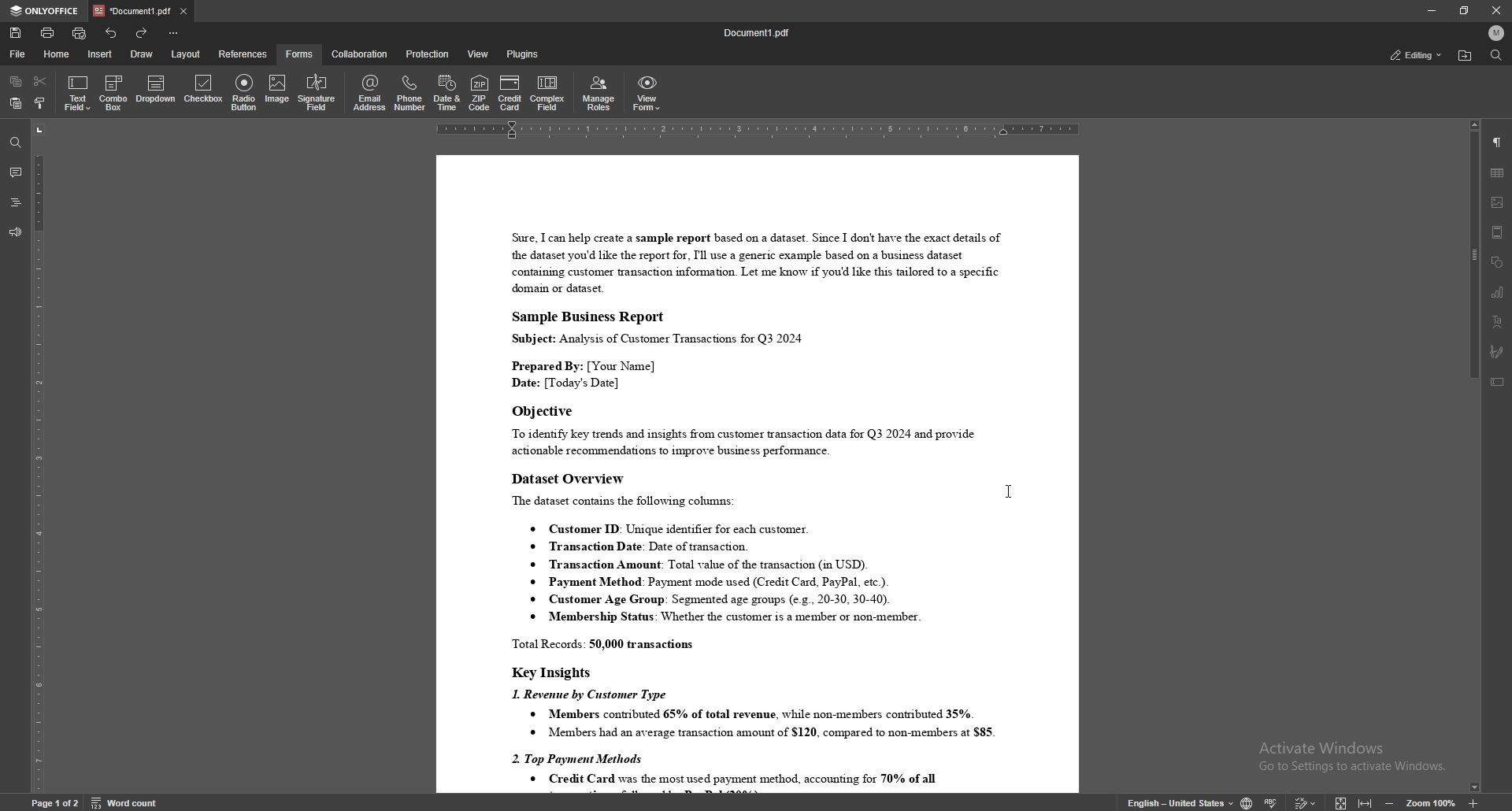  Describe the element at coordinates (16, 33) in the screenshot. I see `save` at that location.